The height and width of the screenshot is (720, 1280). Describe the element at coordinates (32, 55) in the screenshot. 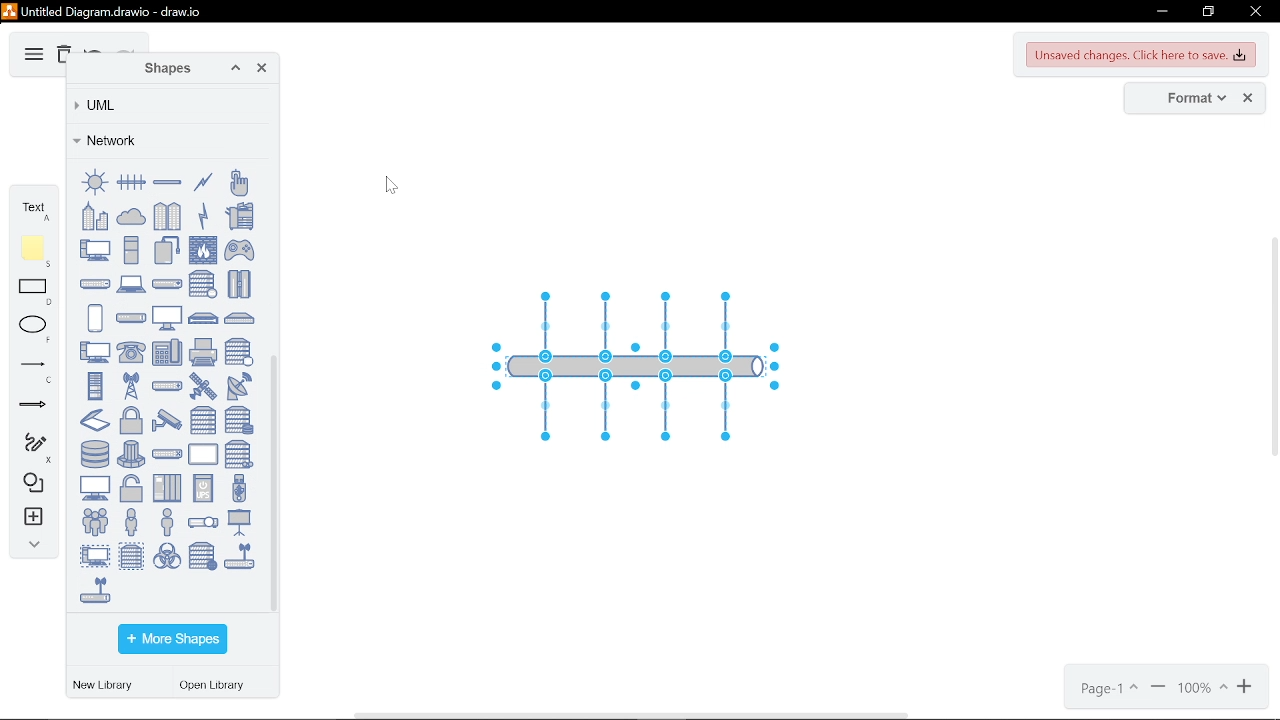

I see `diagram` at that location.